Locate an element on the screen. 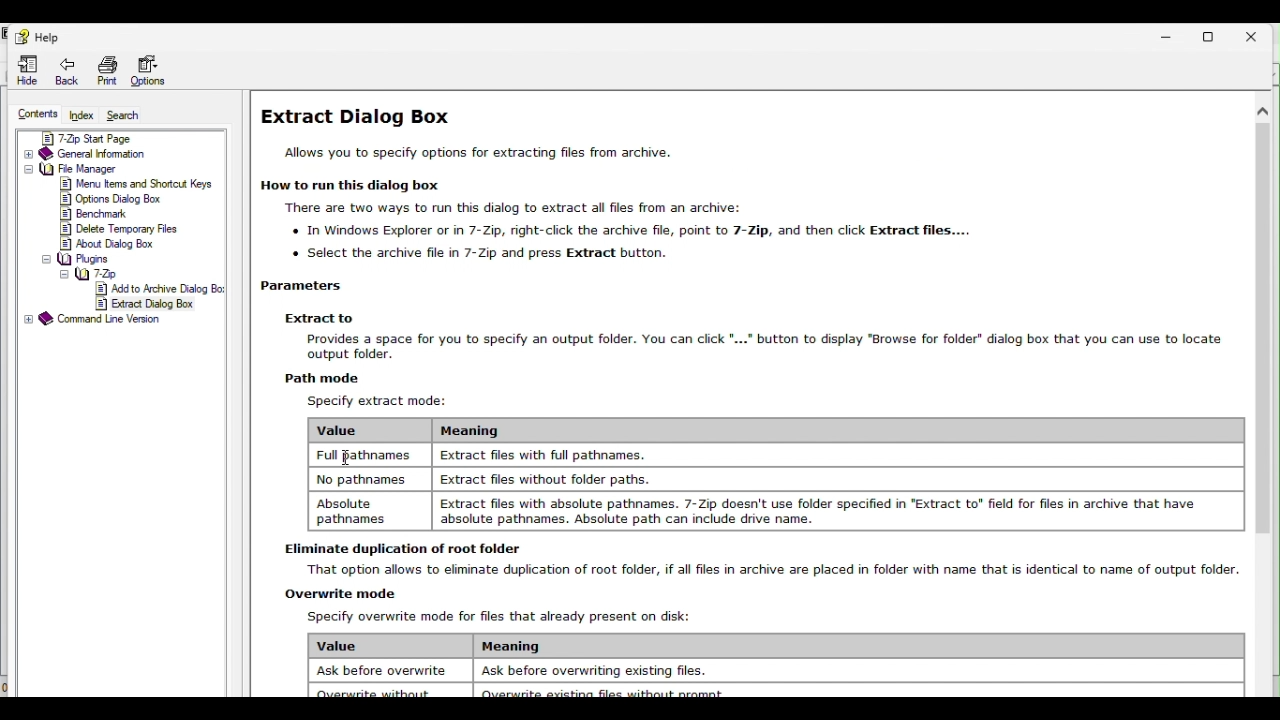  meaning is located at coordinates (518, 648).